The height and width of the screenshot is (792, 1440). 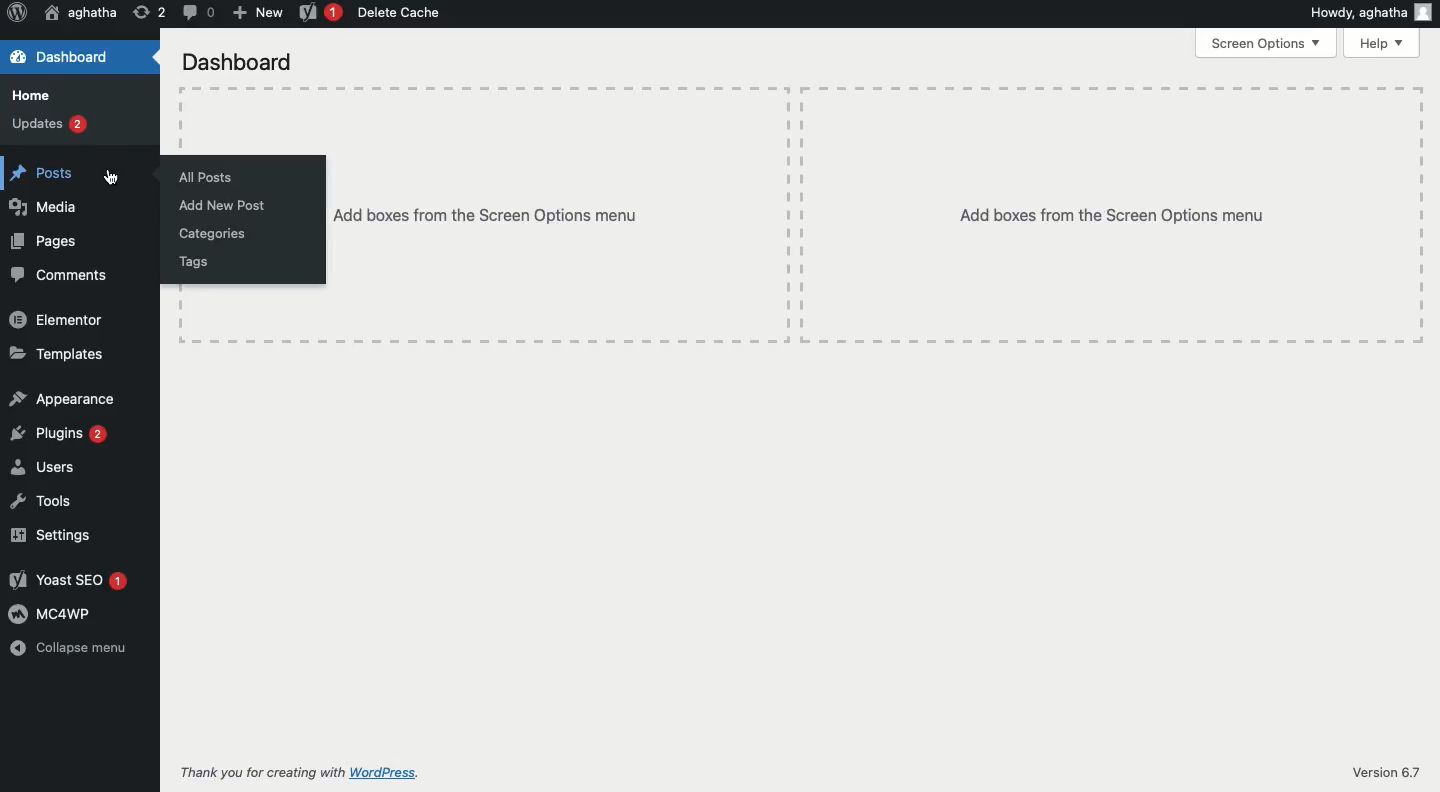 What do you see at coordinates (61, 275) in the screenshot?
I see `Comments` at bounding box center [61, 275].